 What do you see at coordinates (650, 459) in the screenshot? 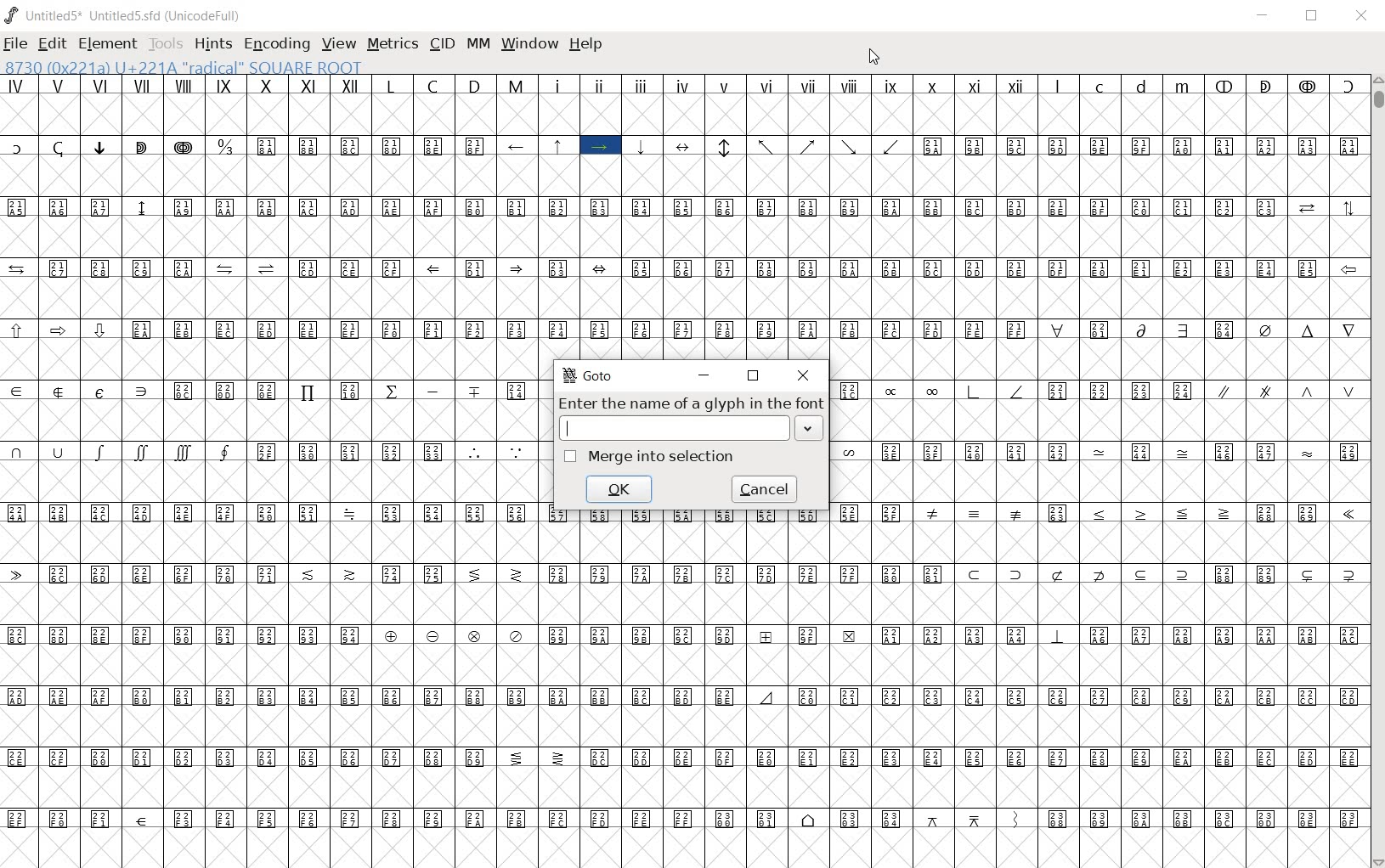
I see `Merge into selection` at bounding box center [650, 459].